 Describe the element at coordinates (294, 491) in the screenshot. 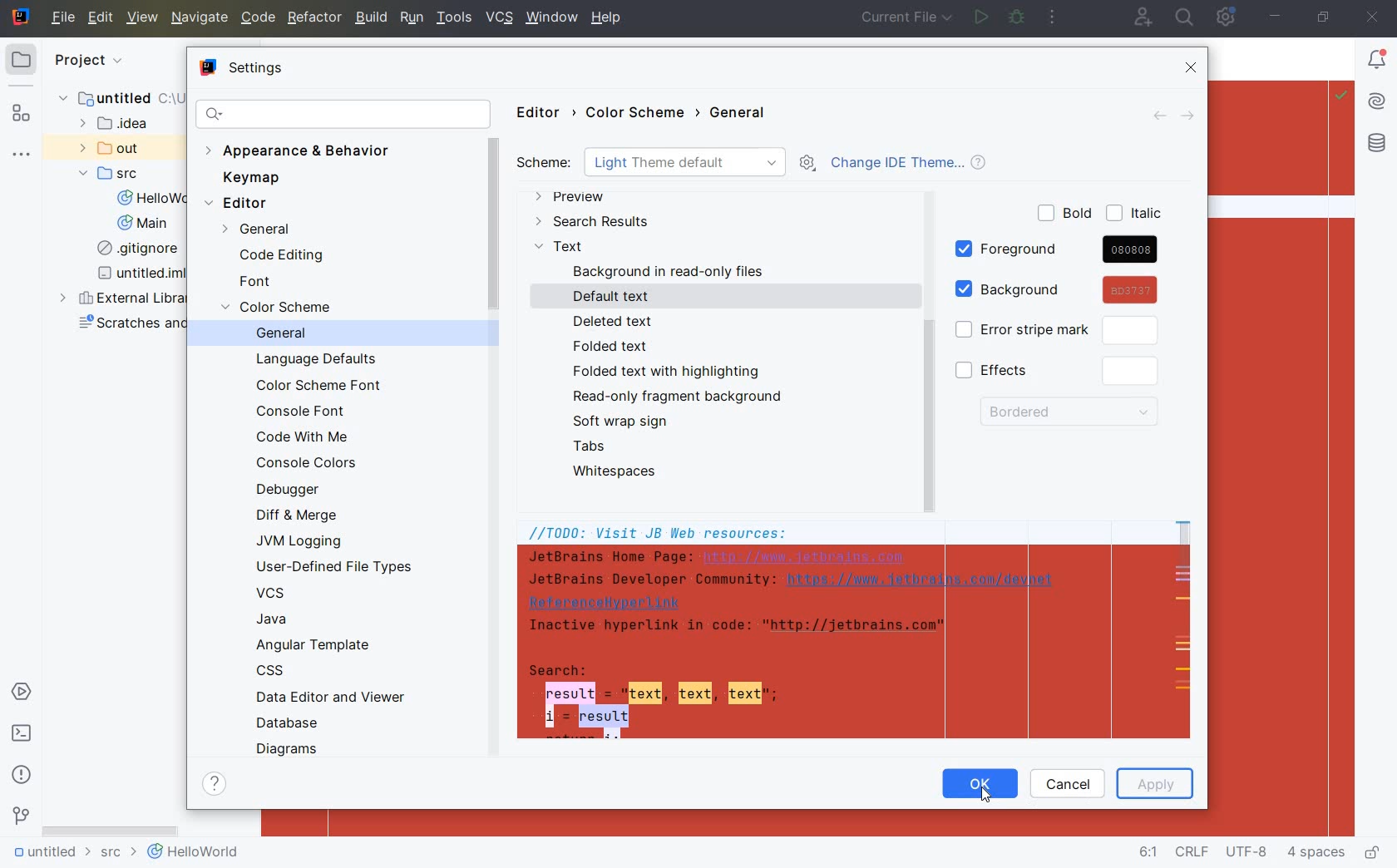

I see `DEBUGGER` at that location.